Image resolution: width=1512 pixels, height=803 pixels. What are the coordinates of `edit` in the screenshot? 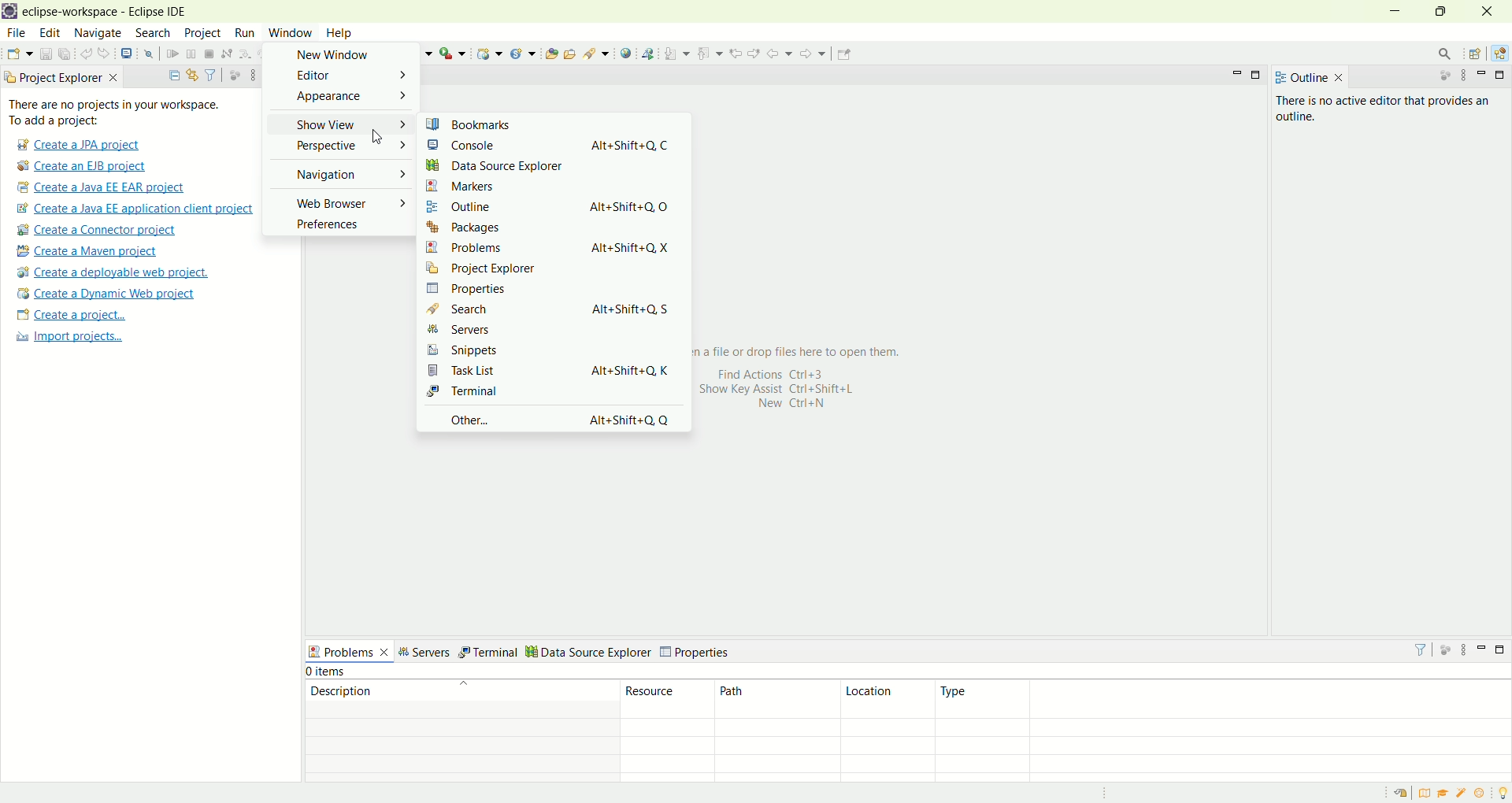 It's located at (52, 32).